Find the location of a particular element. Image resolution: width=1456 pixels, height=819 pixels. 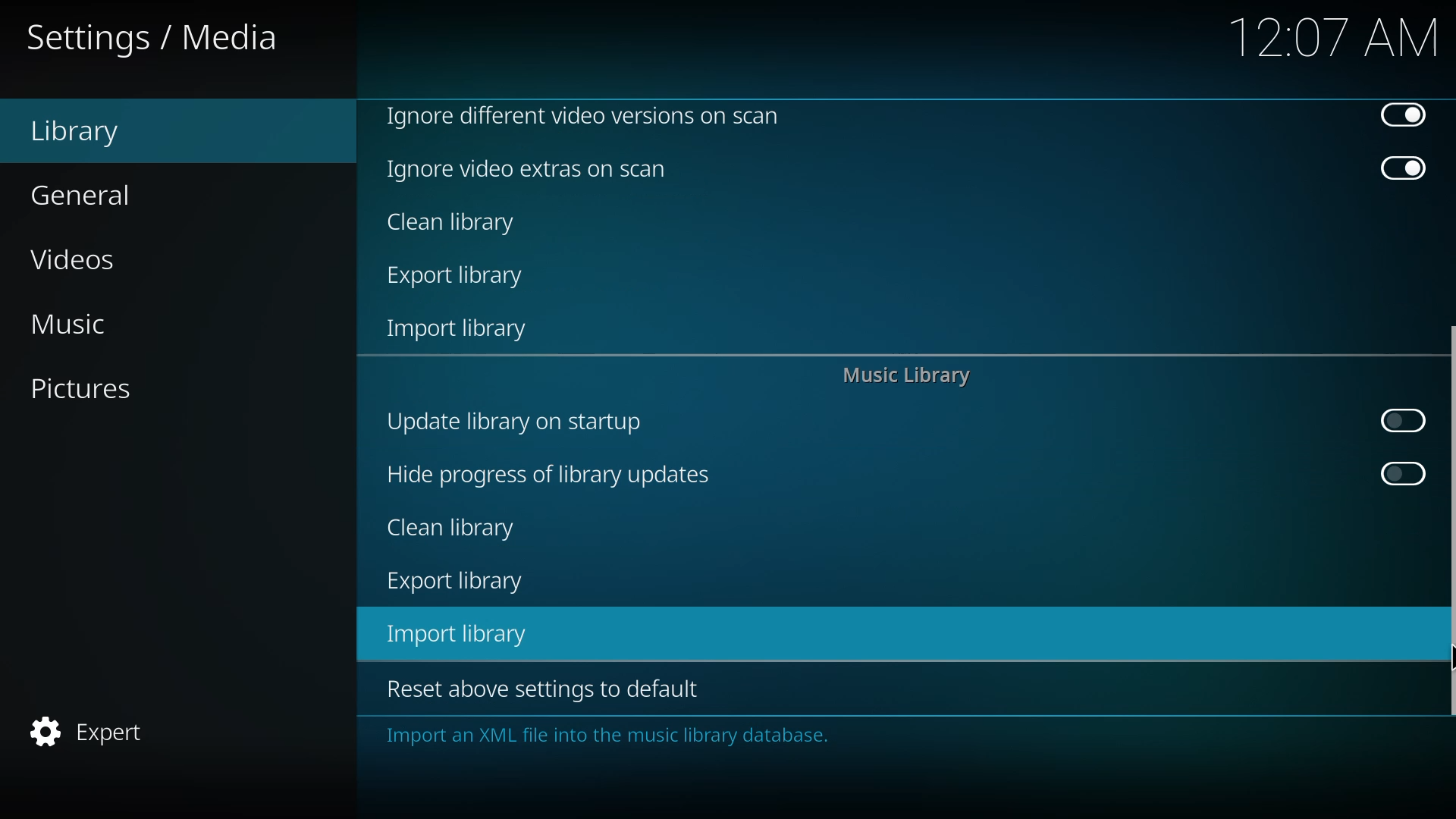

info is located at coordinates (606, 736).